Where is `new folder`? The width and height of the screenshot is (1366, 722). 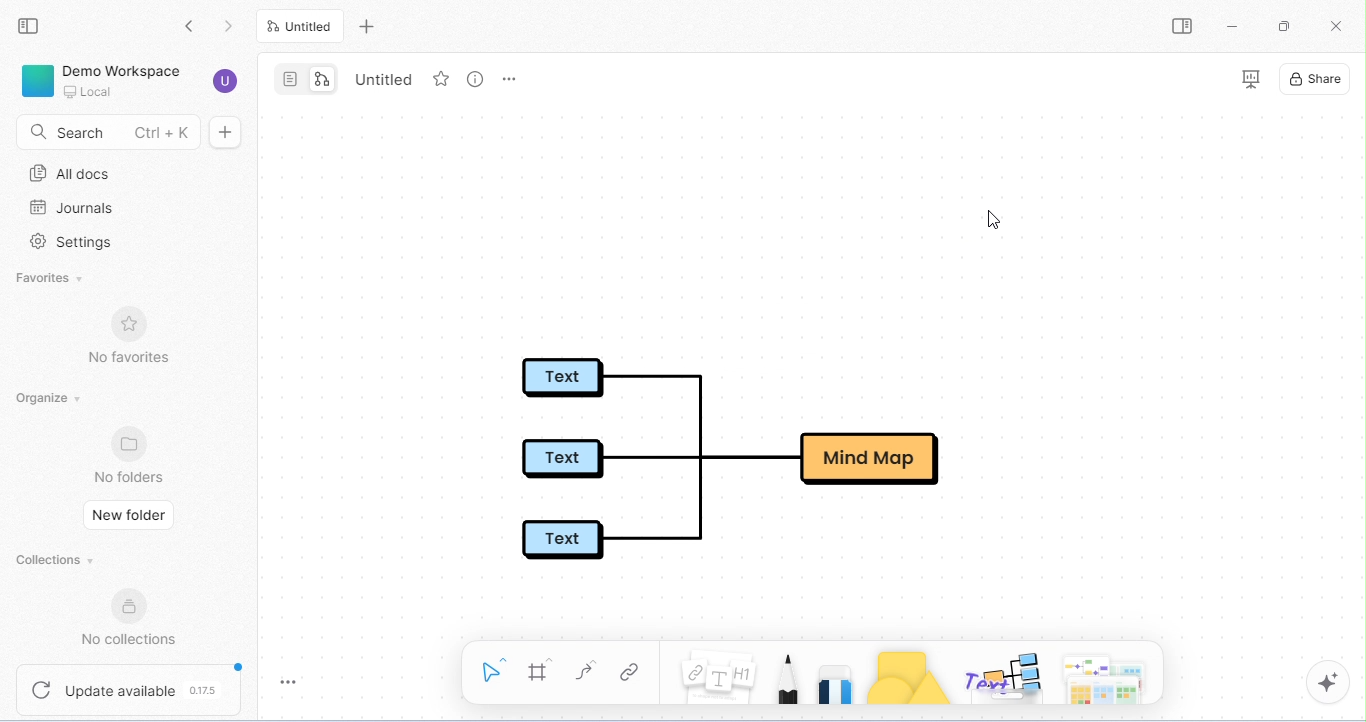 new folder is located at coordinates (128, 513).